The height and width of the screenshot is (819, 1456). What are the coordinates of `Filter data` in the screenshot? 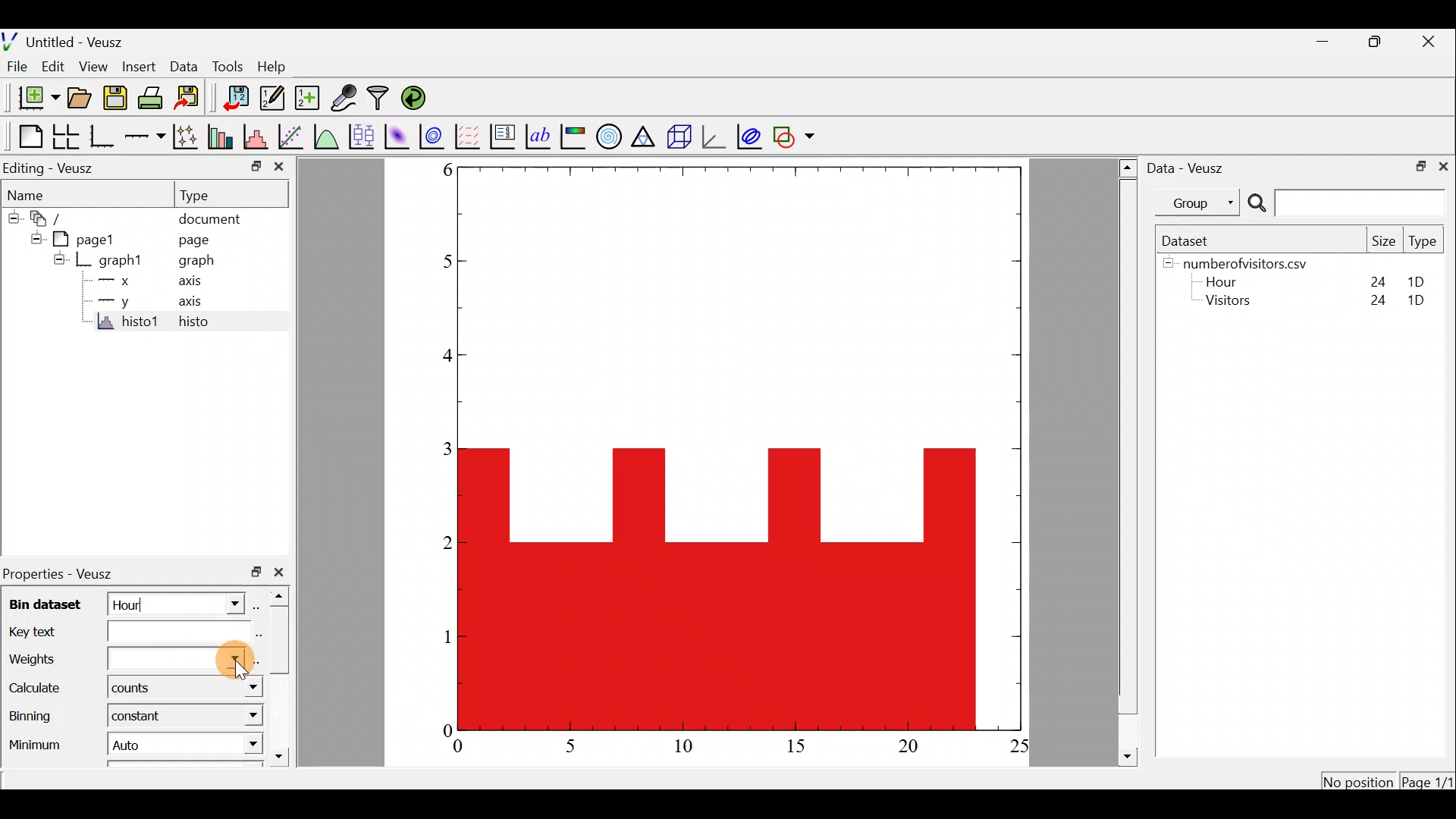 It's located at (378, 97).